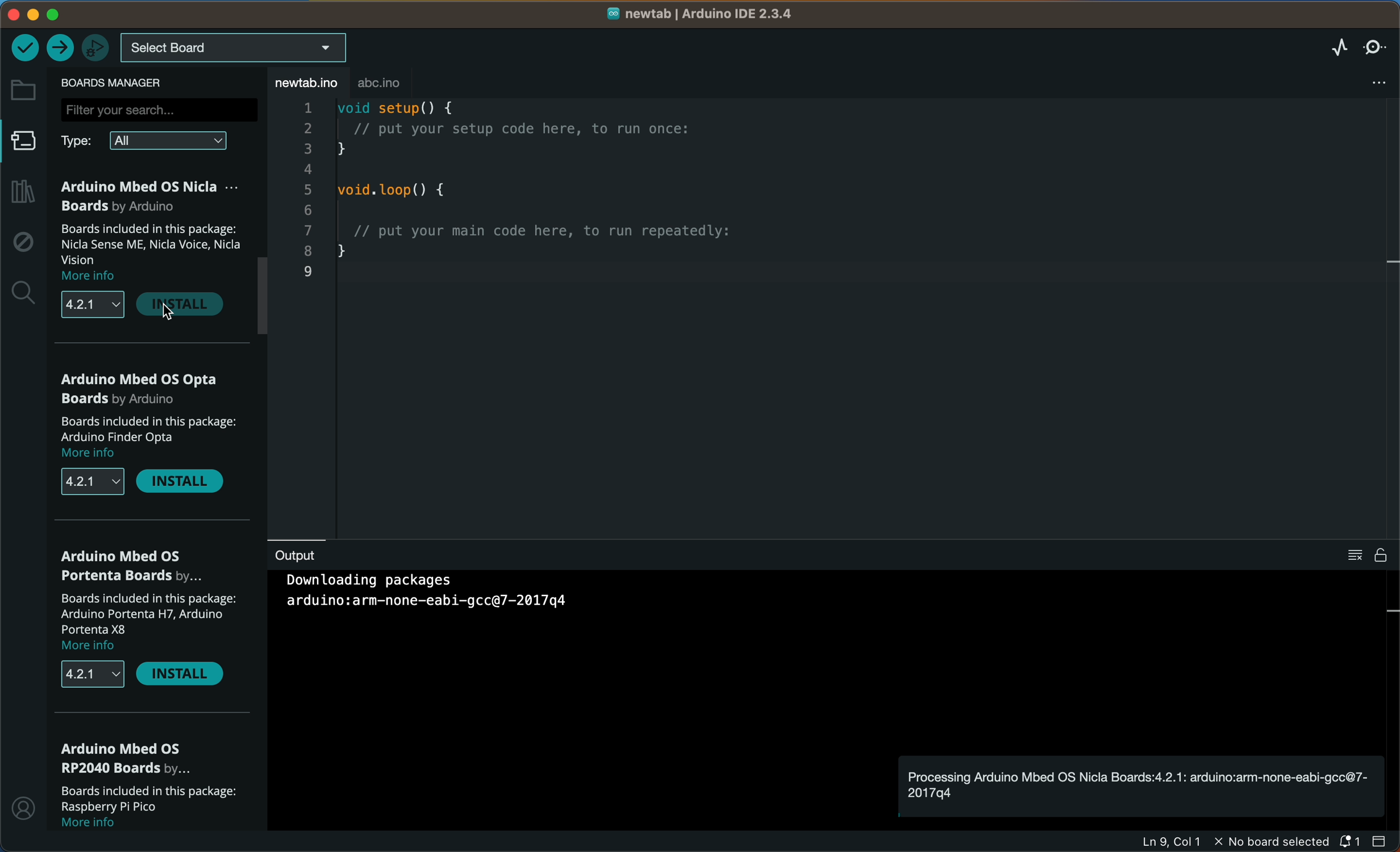 This screenshot has height=852, width=1400. What do you see at coordinates (244, 47) in the screenshot?
I see `board selecter` at bounding box center [244, 47].